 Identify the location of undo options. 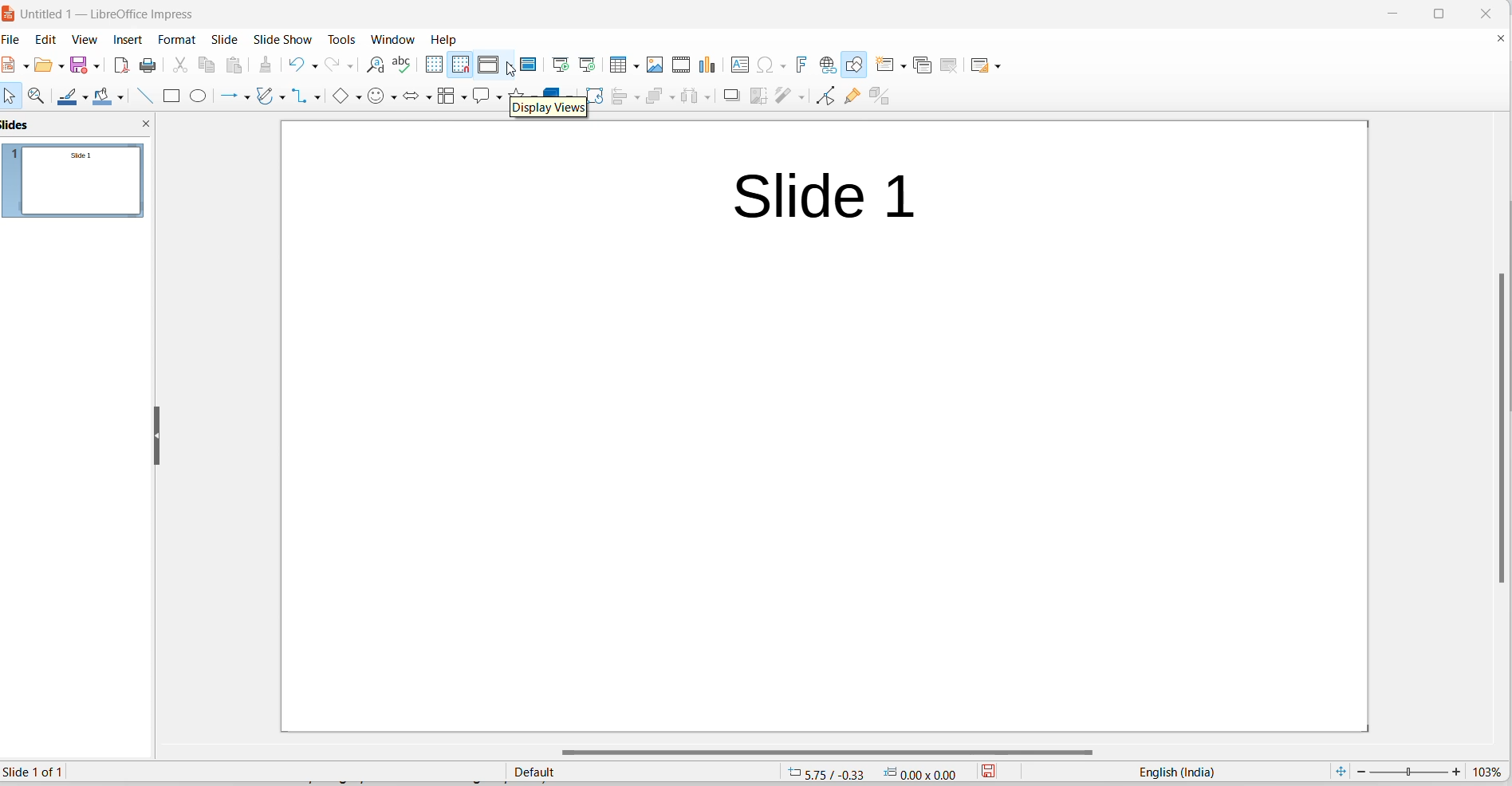
(314, 65).